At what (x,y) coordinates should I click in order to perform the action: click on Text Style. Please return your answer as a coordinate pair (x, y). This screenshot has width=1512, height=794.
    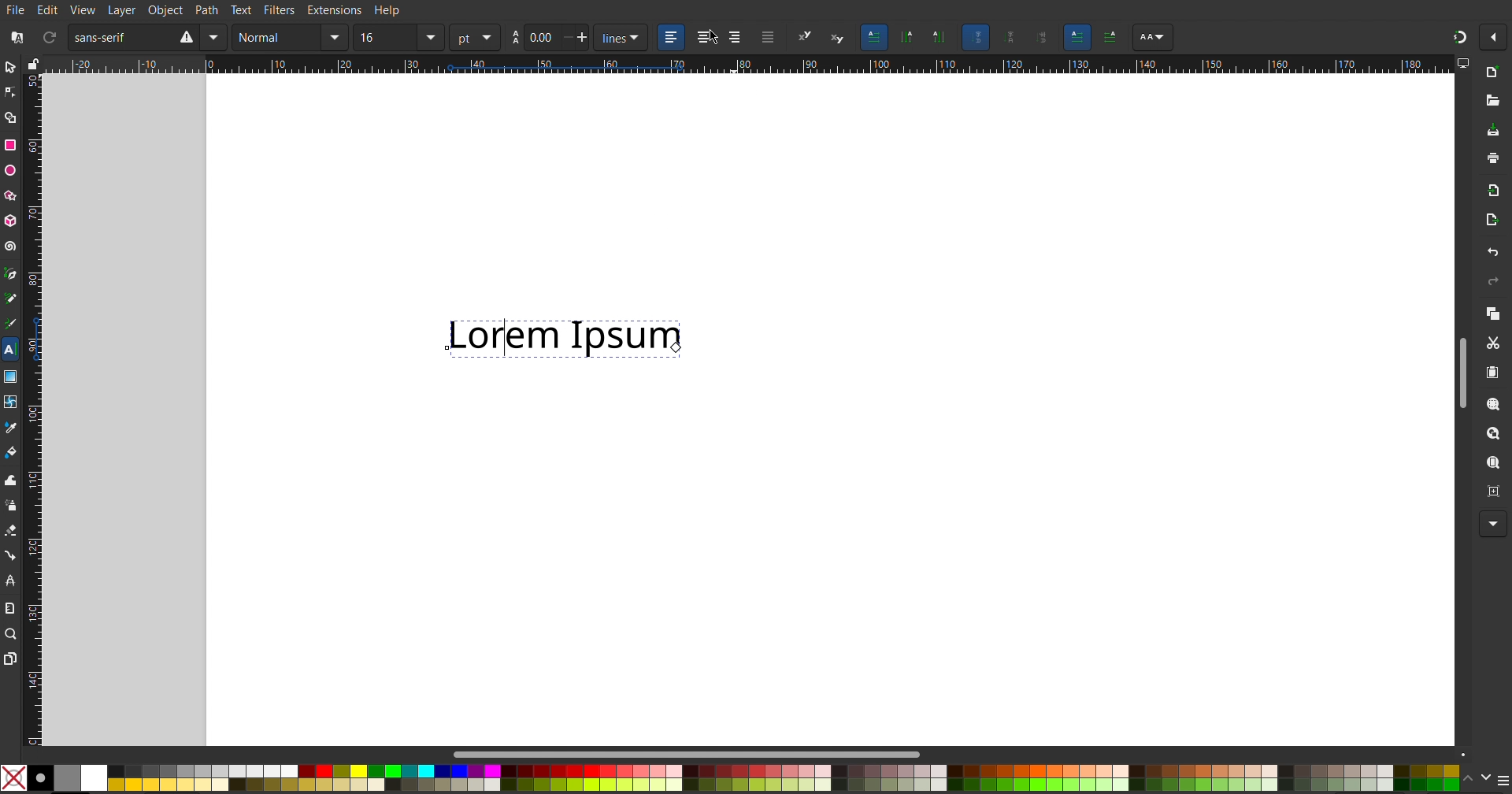
    Looking at the image, I should click on (289, 38).